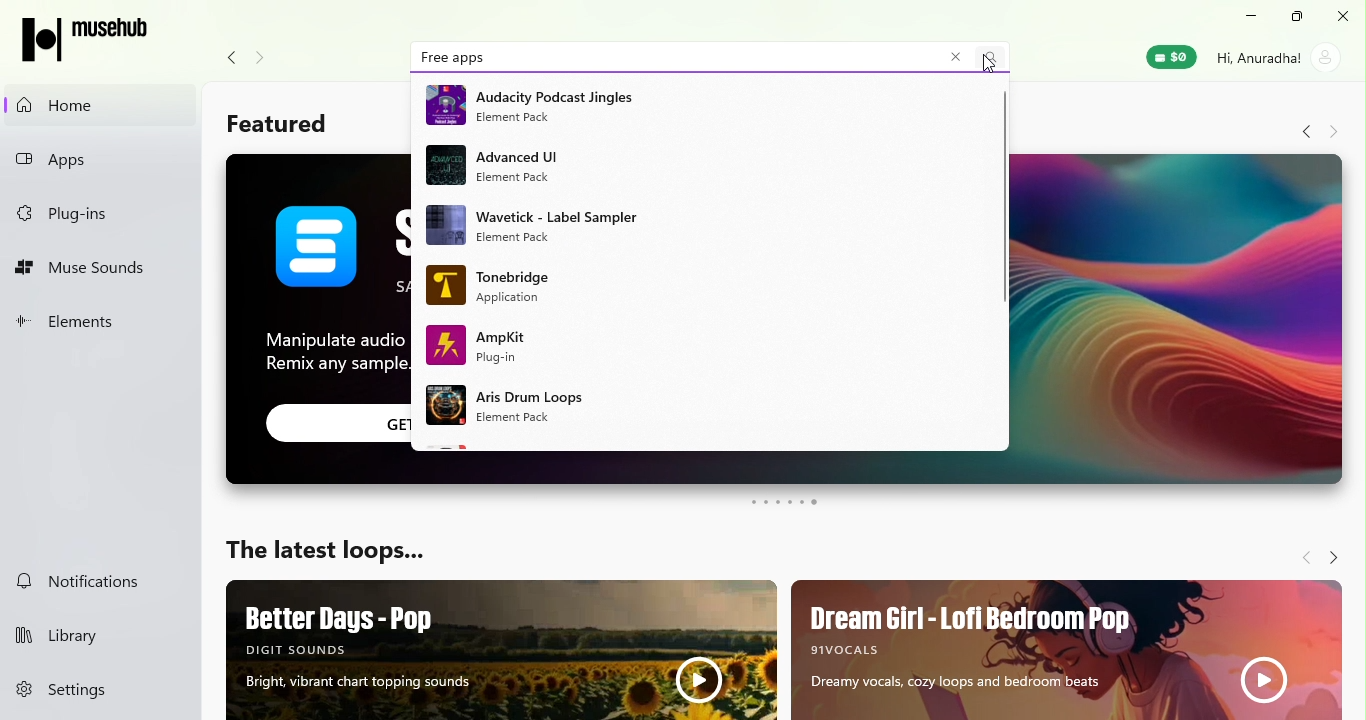 This screenshot has height=720, width=1366. What do you see at coordinates (92, 209) in the screenshot?
I see `Plug-ins` at bounding box center [92, 209].